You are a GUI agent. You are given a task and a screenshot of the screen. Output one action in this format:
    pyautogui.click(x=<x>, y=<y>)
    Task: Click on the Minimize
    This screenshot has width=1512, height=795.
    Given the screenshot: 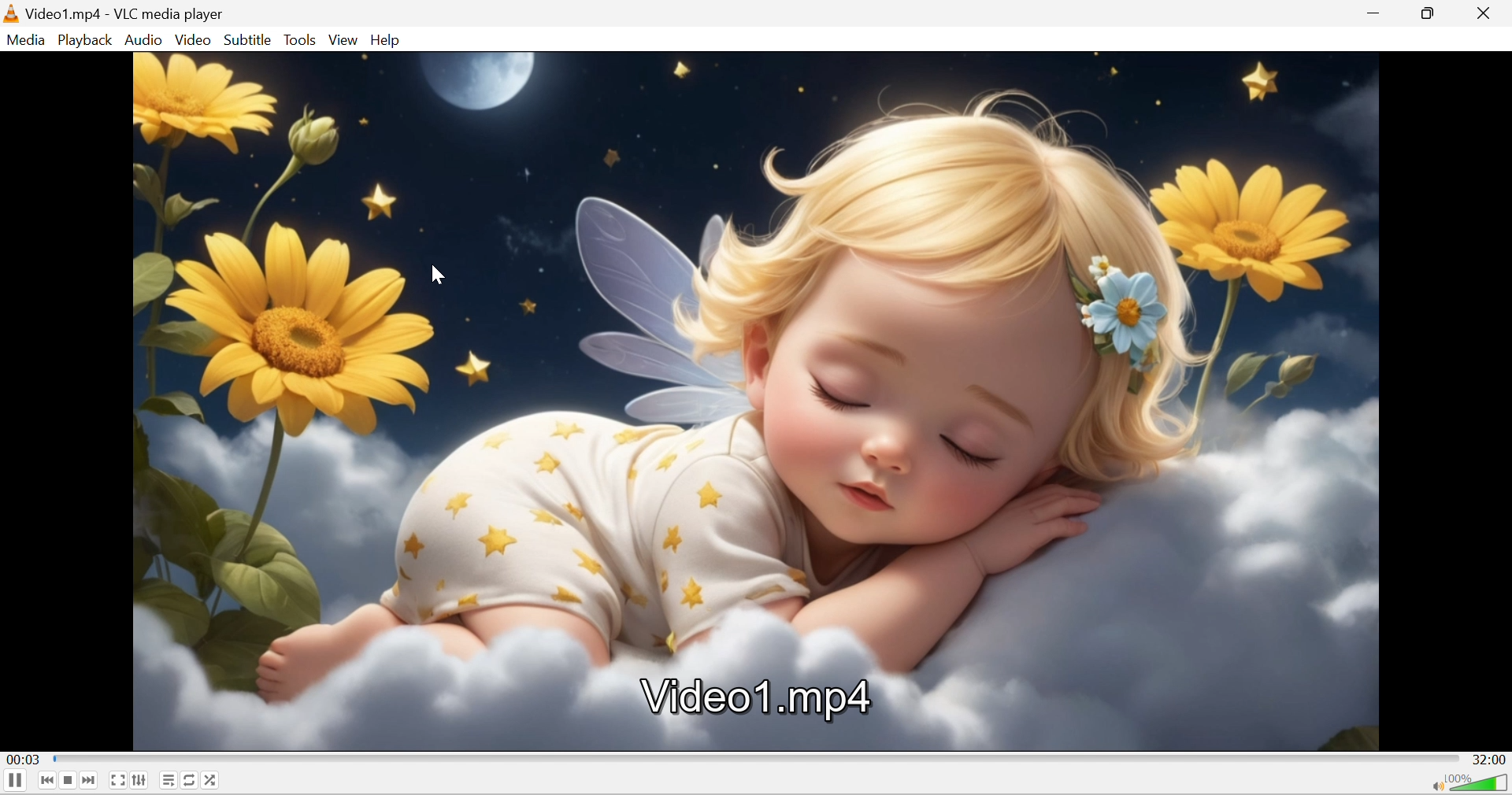 What is the action you would take?
    pyautogui.click(x=1378, y=11)
    